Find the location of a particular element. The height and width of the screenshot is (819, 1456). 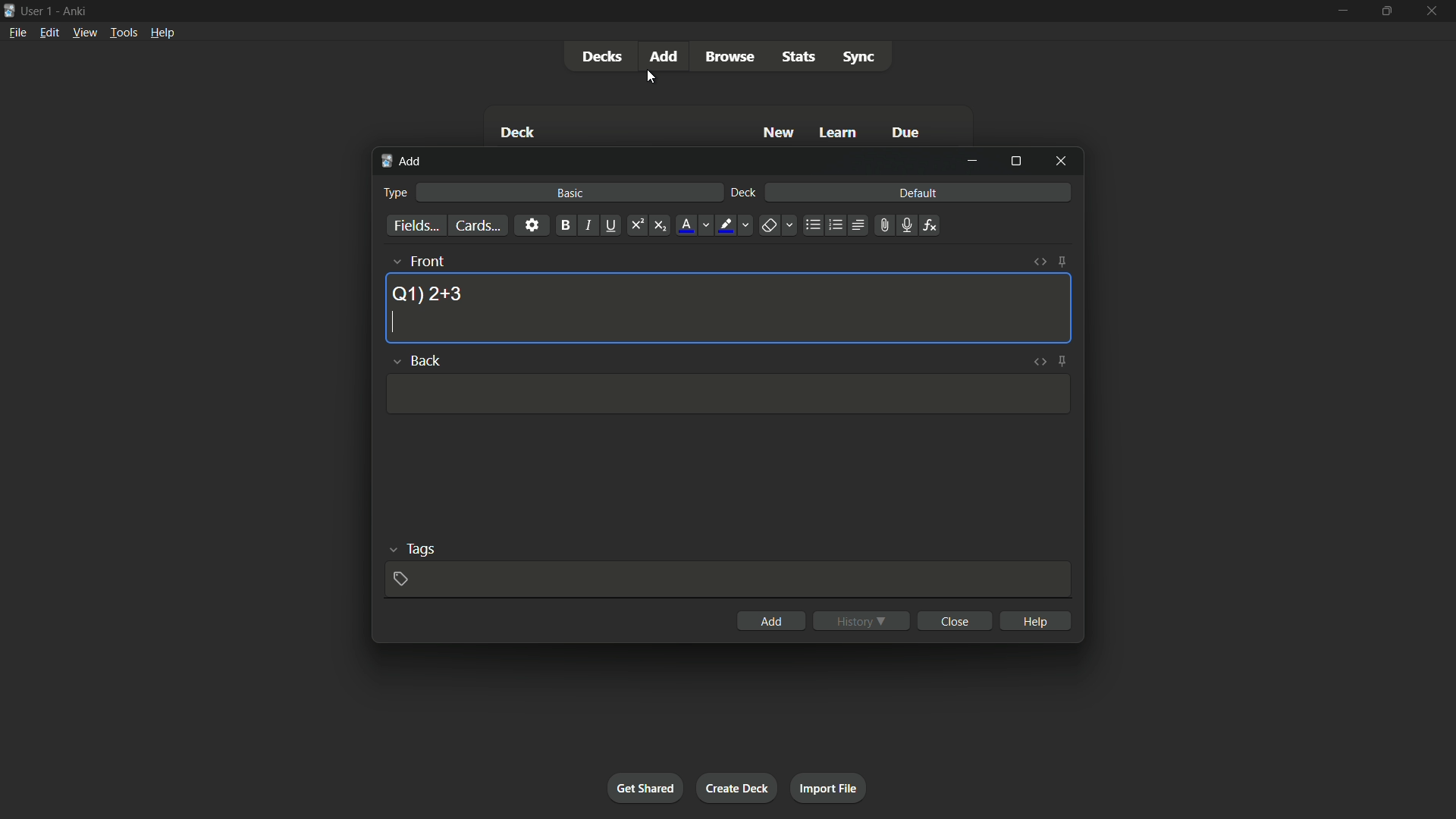

history is located at coordinates (861, 621).